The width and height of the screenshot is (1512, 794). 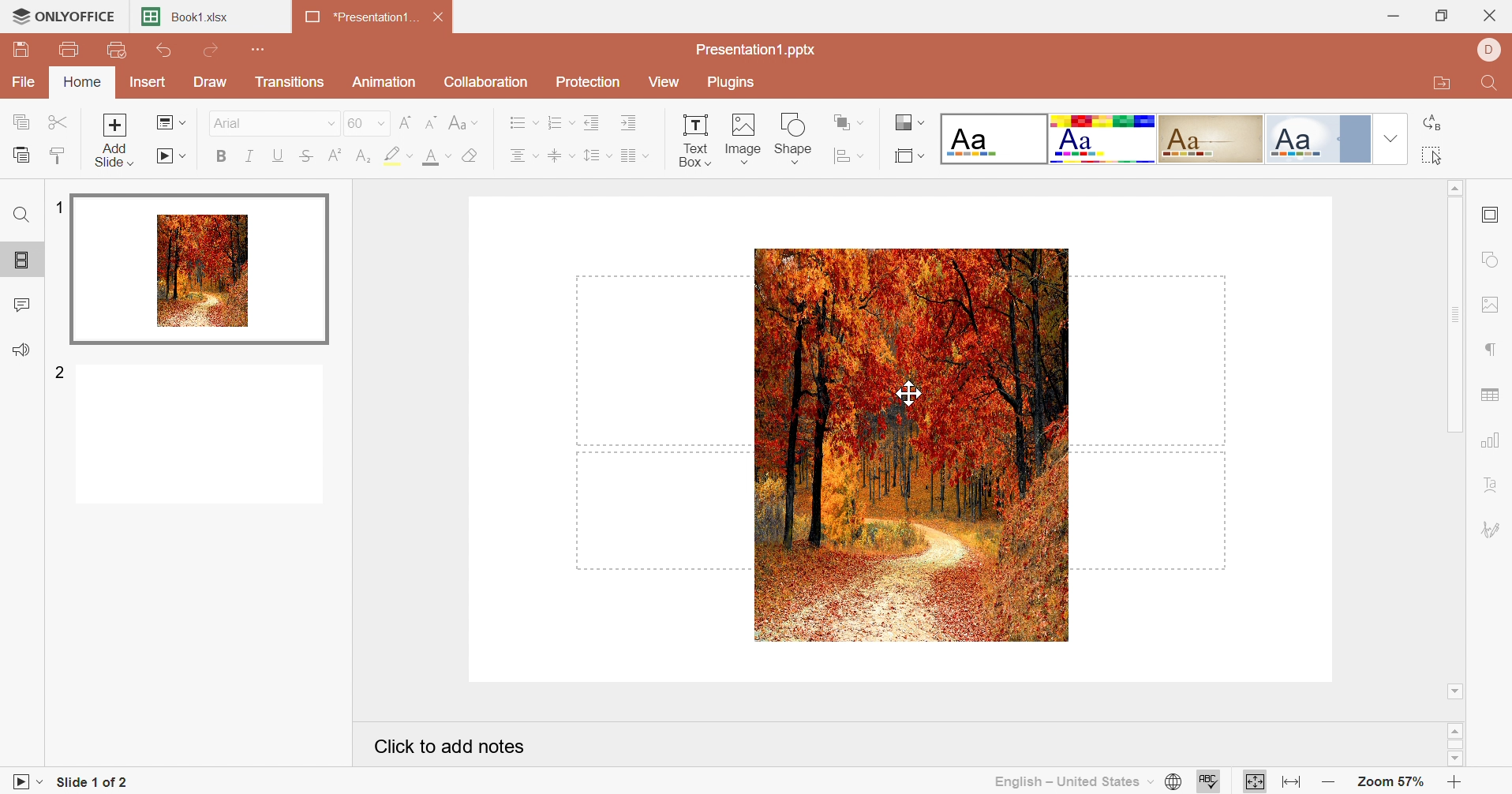 What do you see at coordinates (1387, 14) in the screenshot?
I see `Minimize` at bounding box center [1387, 14].